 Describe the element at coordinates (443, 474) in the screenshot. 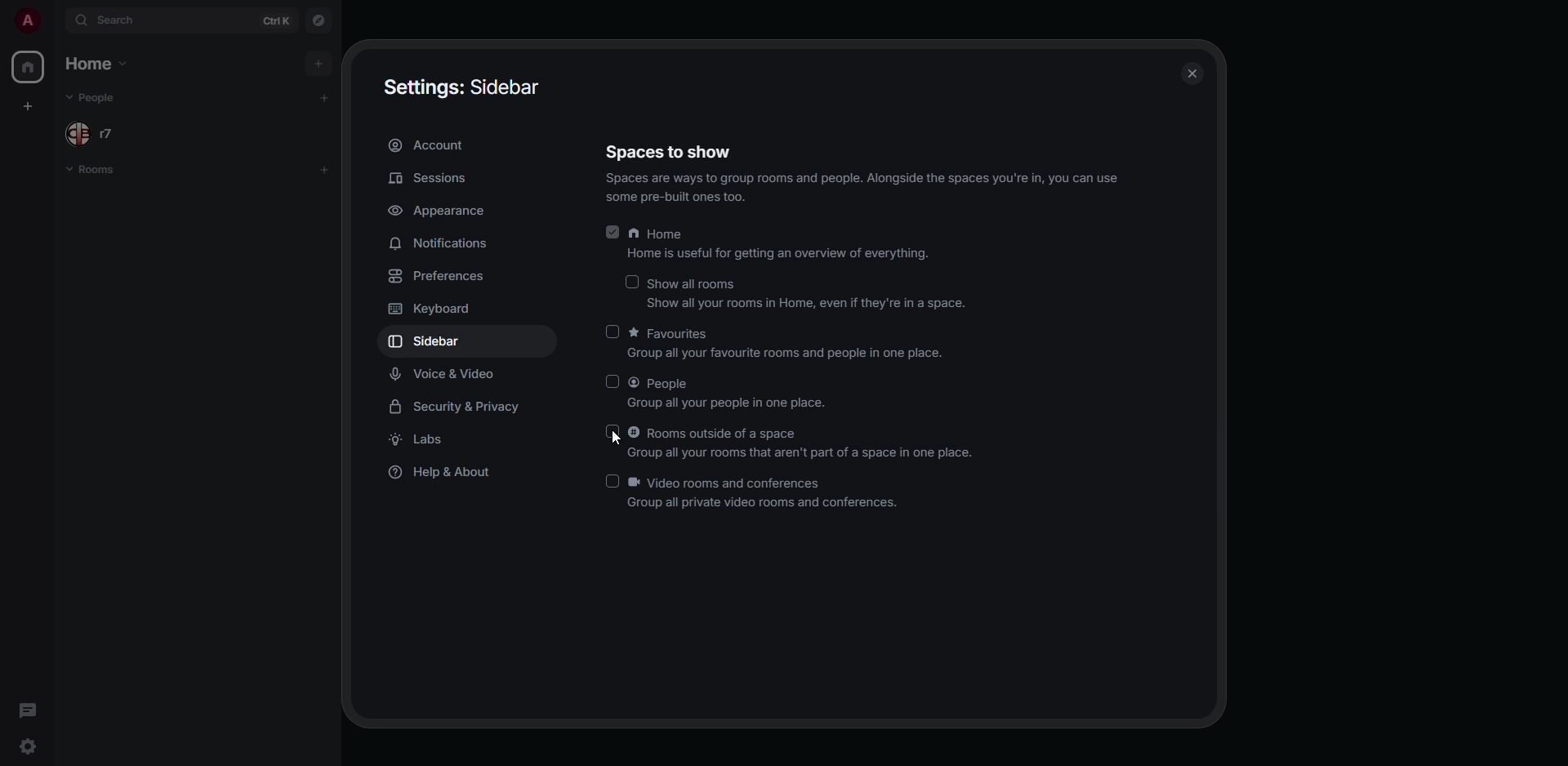

I see `help & about` at that location.